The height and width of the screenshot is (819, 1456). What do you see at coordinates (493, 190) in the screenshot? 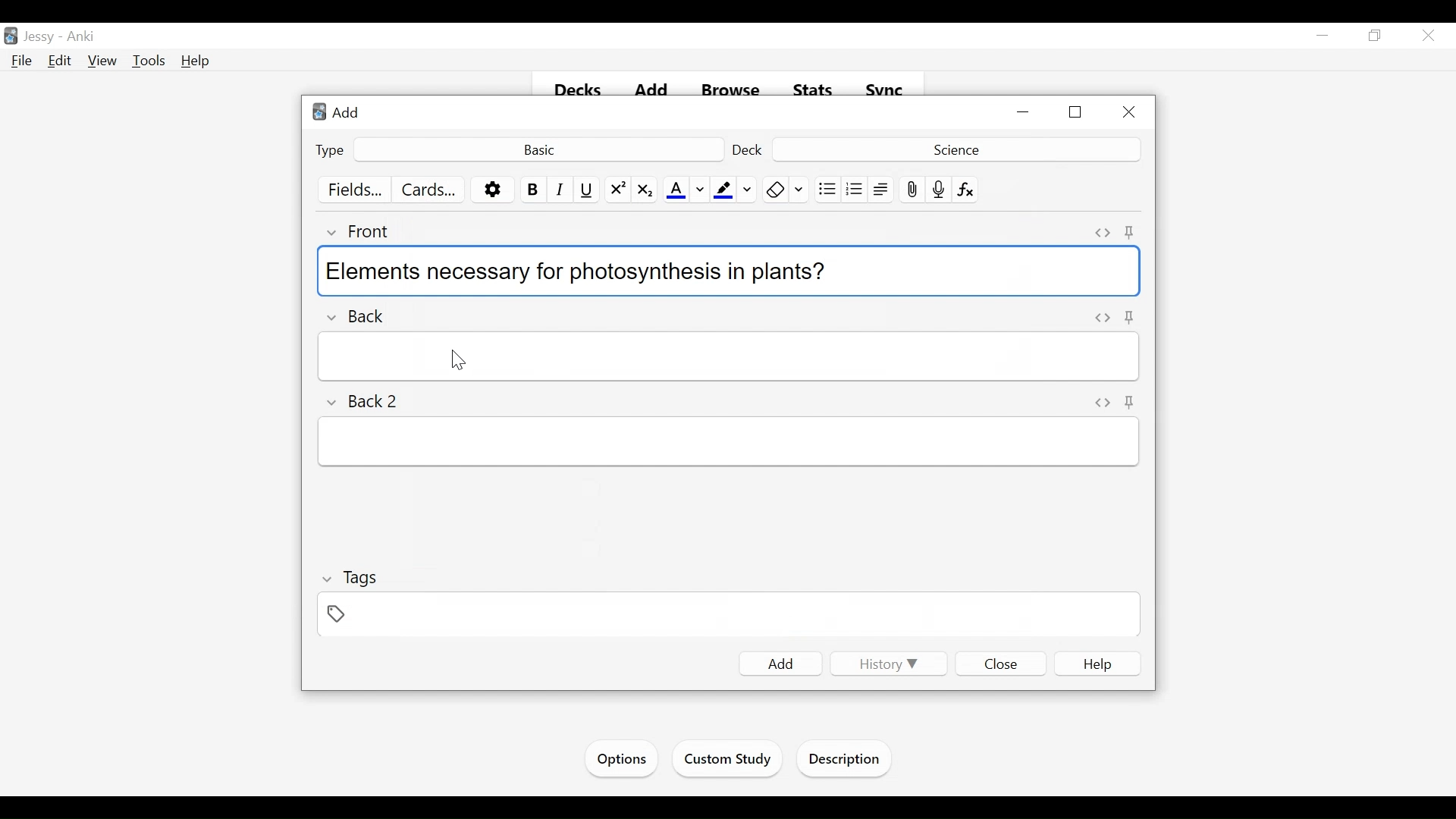
I see `Options` at bounding box center [493, 190].